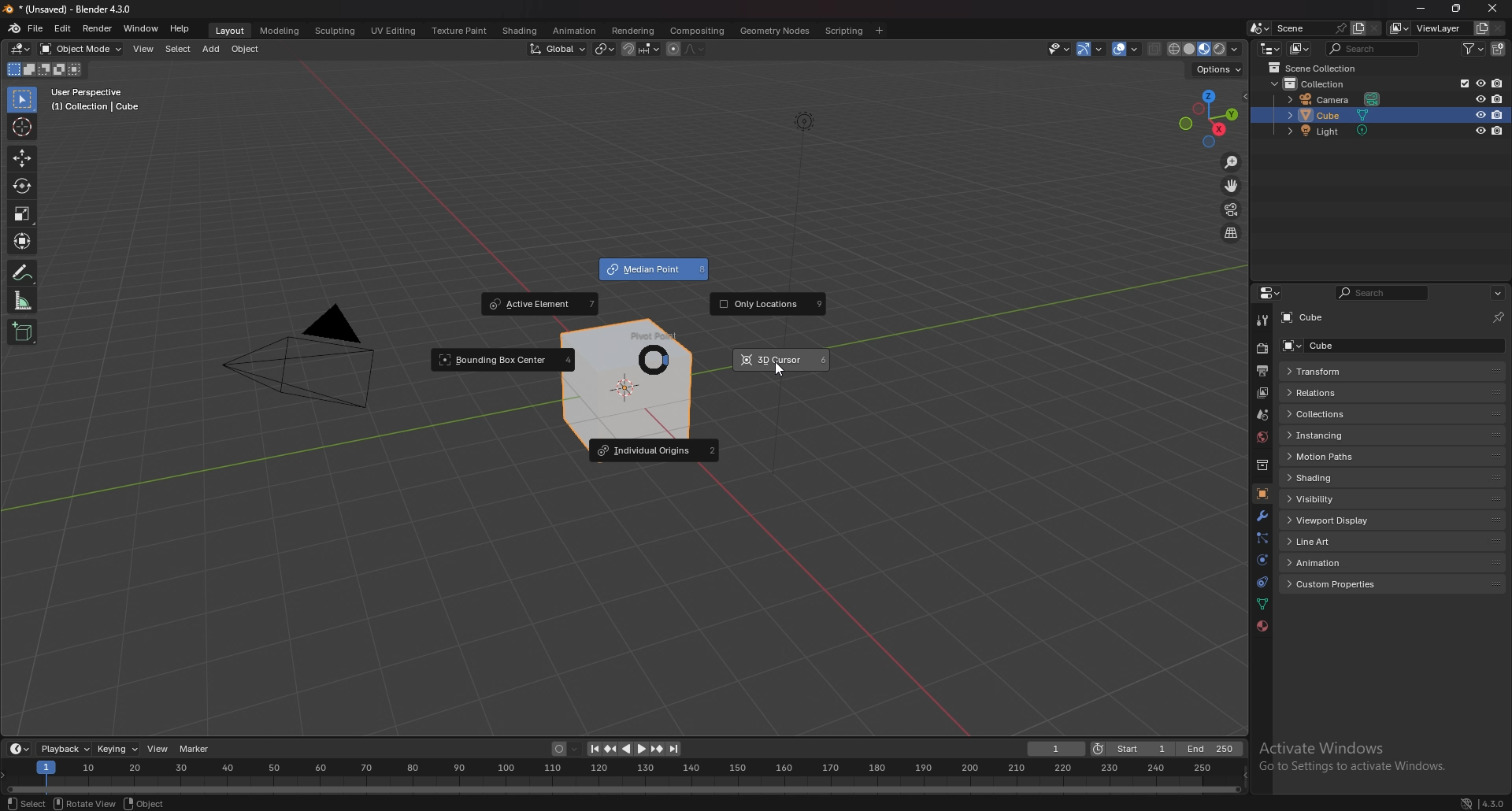 The height and width of the screenshot is (811, 1512). Describe the element at coordinates (654, 449) in the screenshot. I see `individual origins` at that location.